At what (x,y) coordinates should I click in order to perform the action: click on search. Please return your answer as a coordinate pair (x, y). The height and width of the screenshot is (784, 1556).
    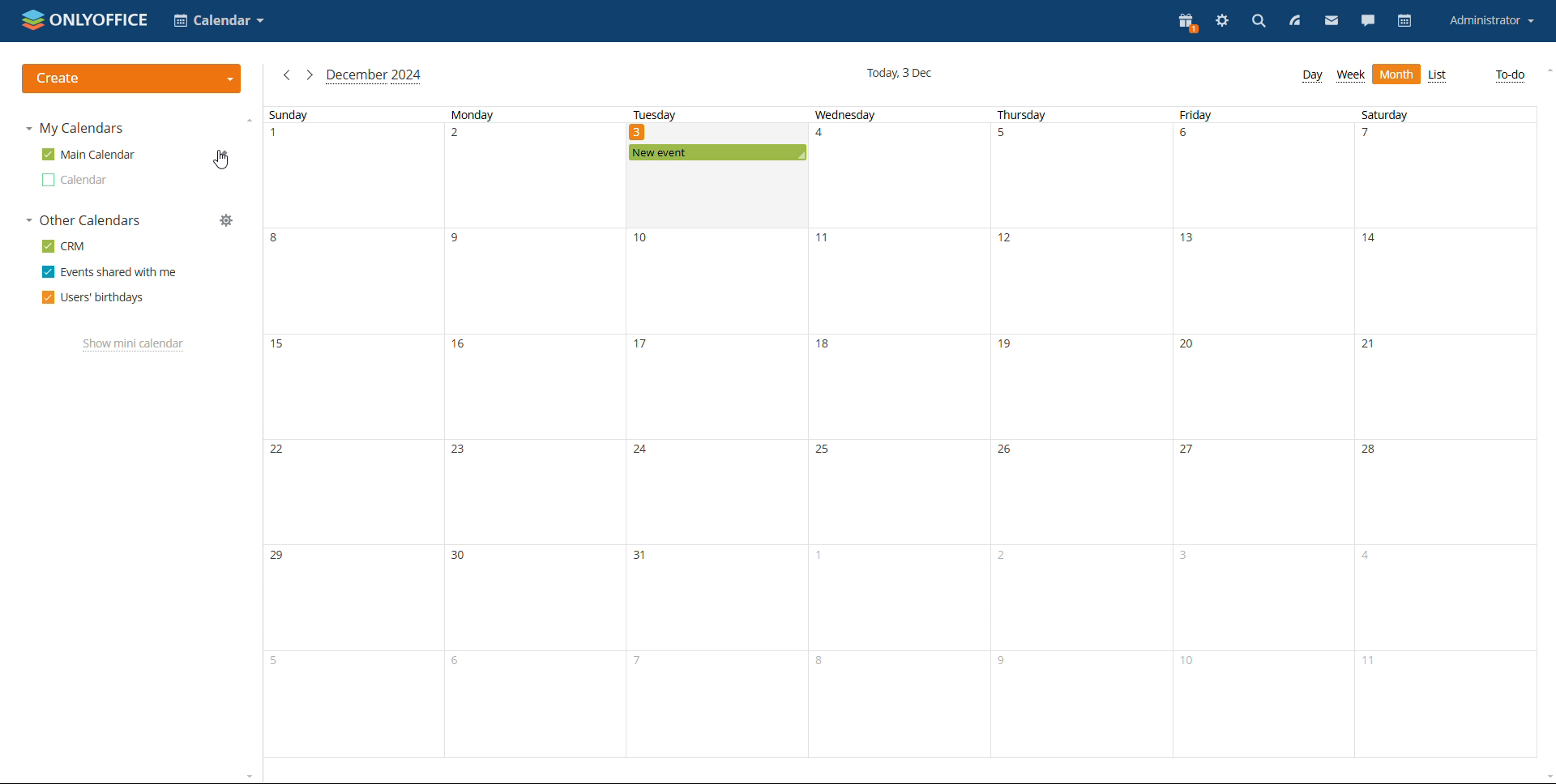
    Looking at the image, I should click on (1259, 23).